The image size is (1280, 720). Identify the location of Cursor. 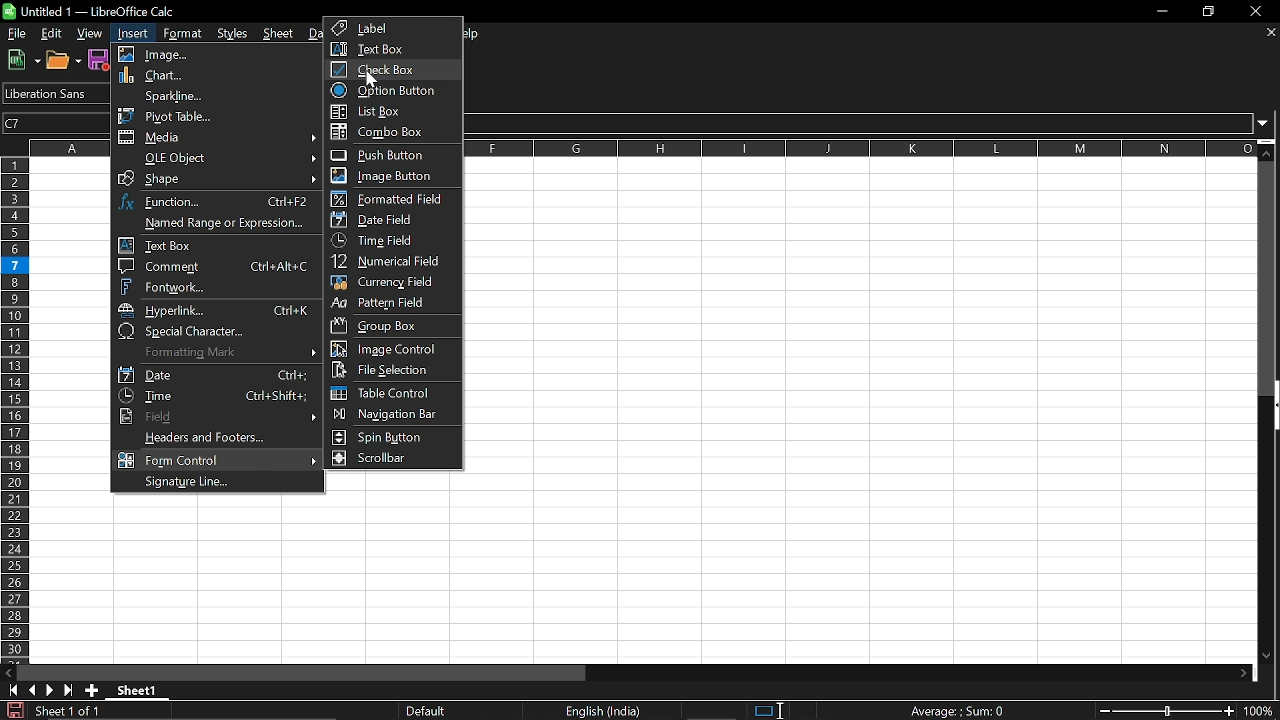
(372, 78).